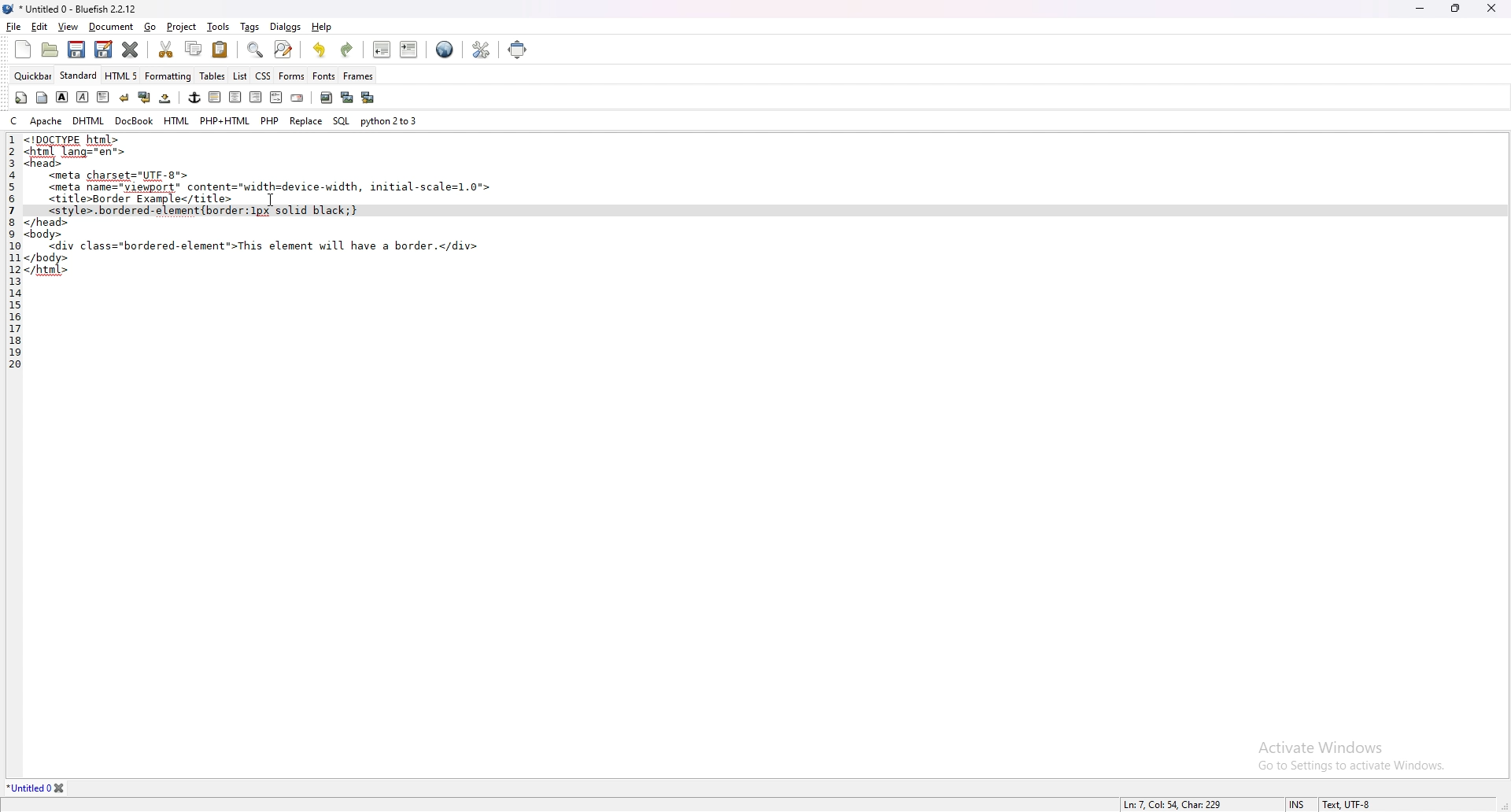 The image size is (1511, 812). Describe the element at coordinates (33, 76) in the screenshot. I see `quickbar` at that location.